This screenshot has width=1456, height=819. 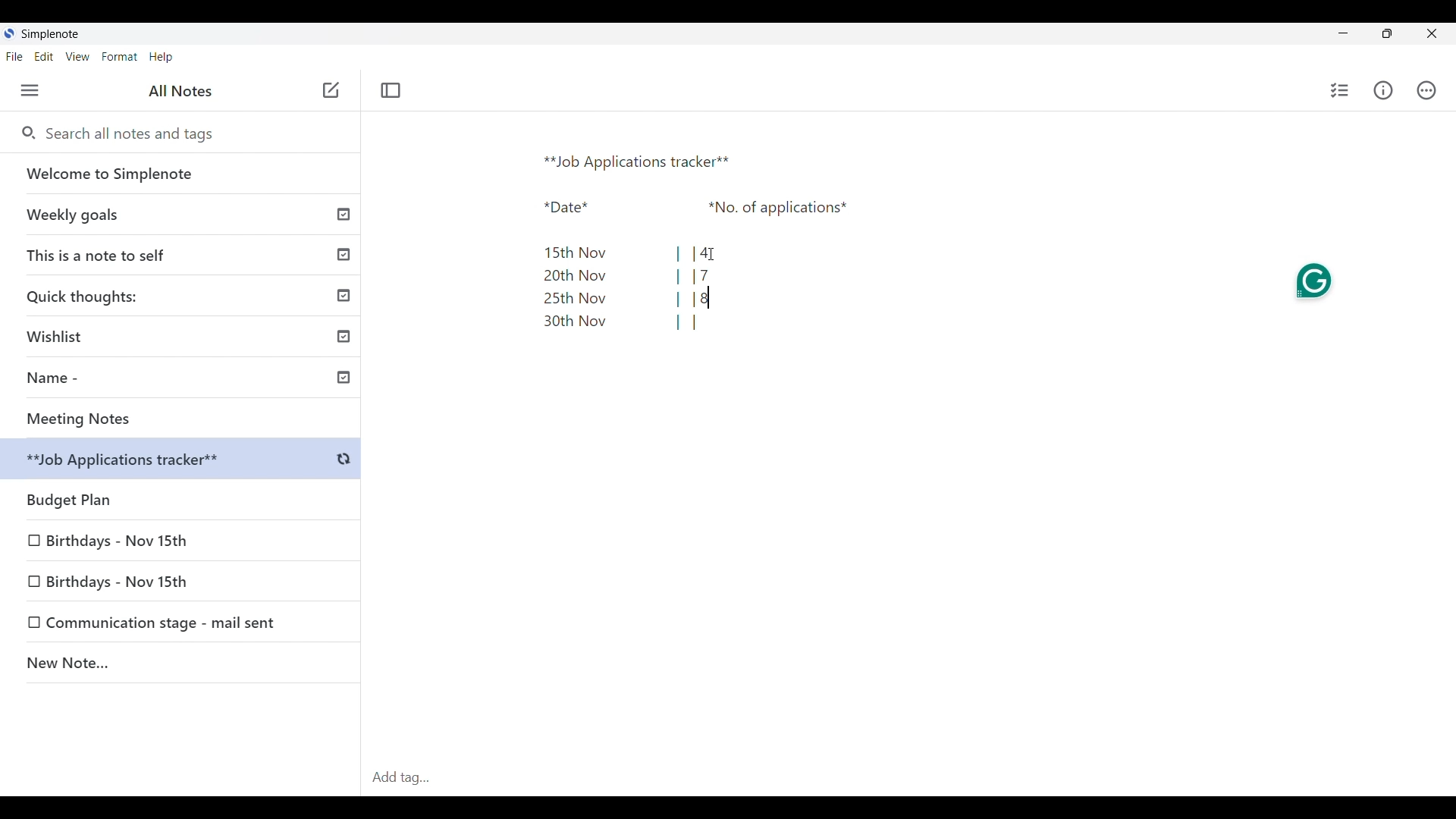 What do you see at coordinates (184, 461) in the screenshot?
I see `Budget Plan` at bounding box center [184, 461].